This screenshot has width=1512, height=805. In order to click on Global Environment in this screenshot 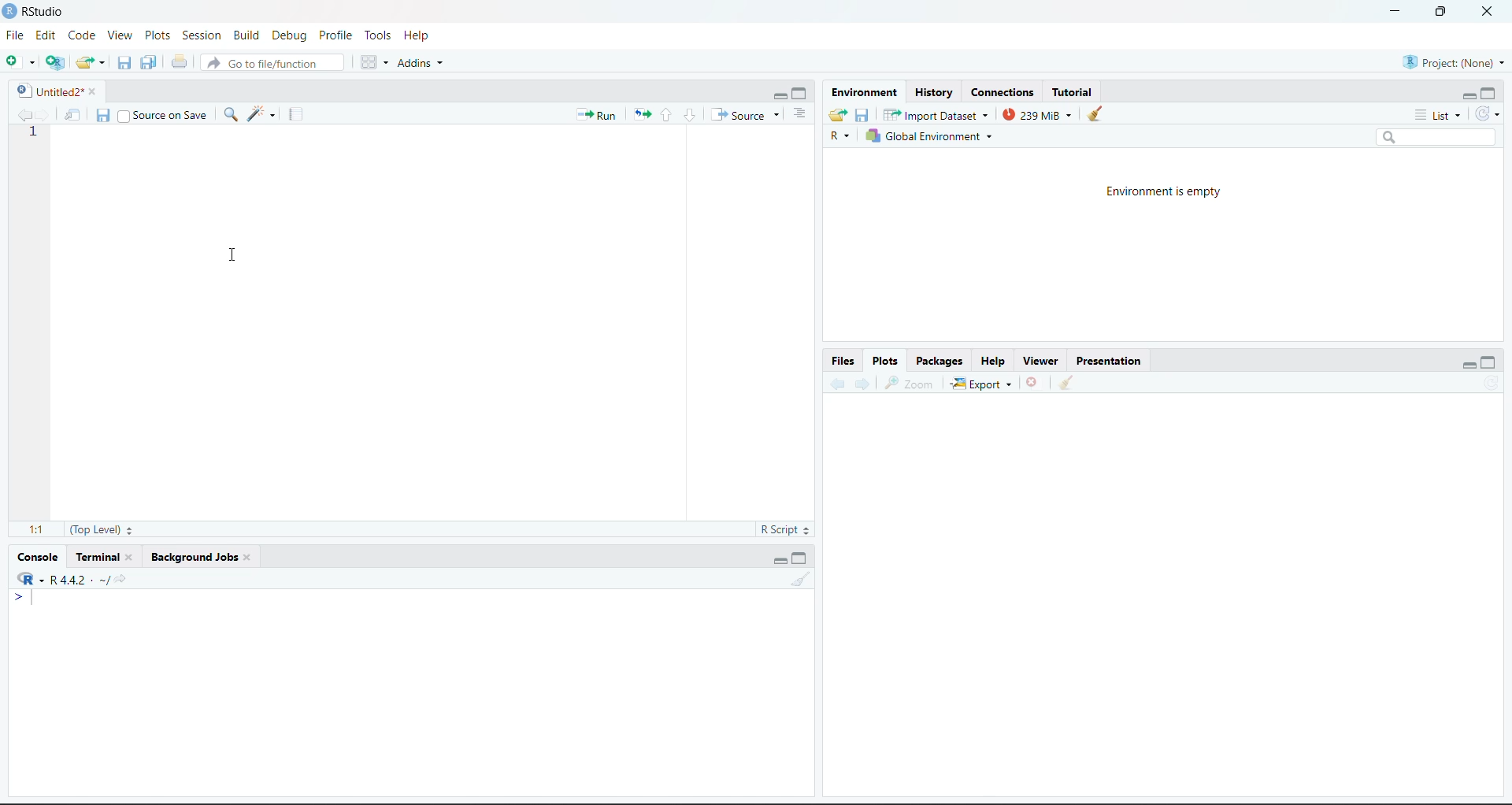, I will do `click(944, 138)`.